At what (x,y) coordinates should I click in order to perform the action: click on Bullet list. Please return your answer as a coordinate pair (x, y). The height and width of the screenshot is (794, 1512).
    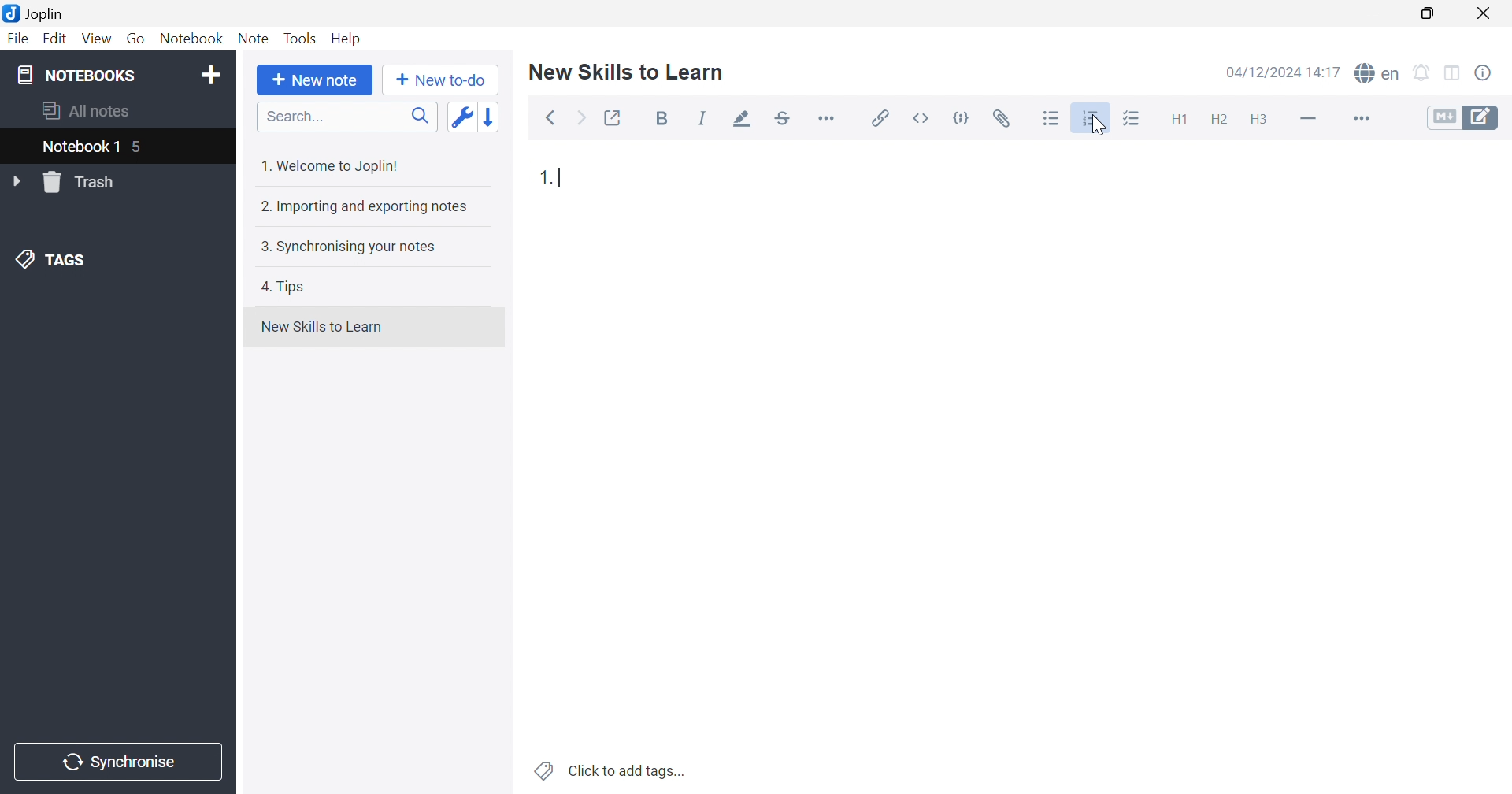
    Looking at the image, I should click on (1051, 119).